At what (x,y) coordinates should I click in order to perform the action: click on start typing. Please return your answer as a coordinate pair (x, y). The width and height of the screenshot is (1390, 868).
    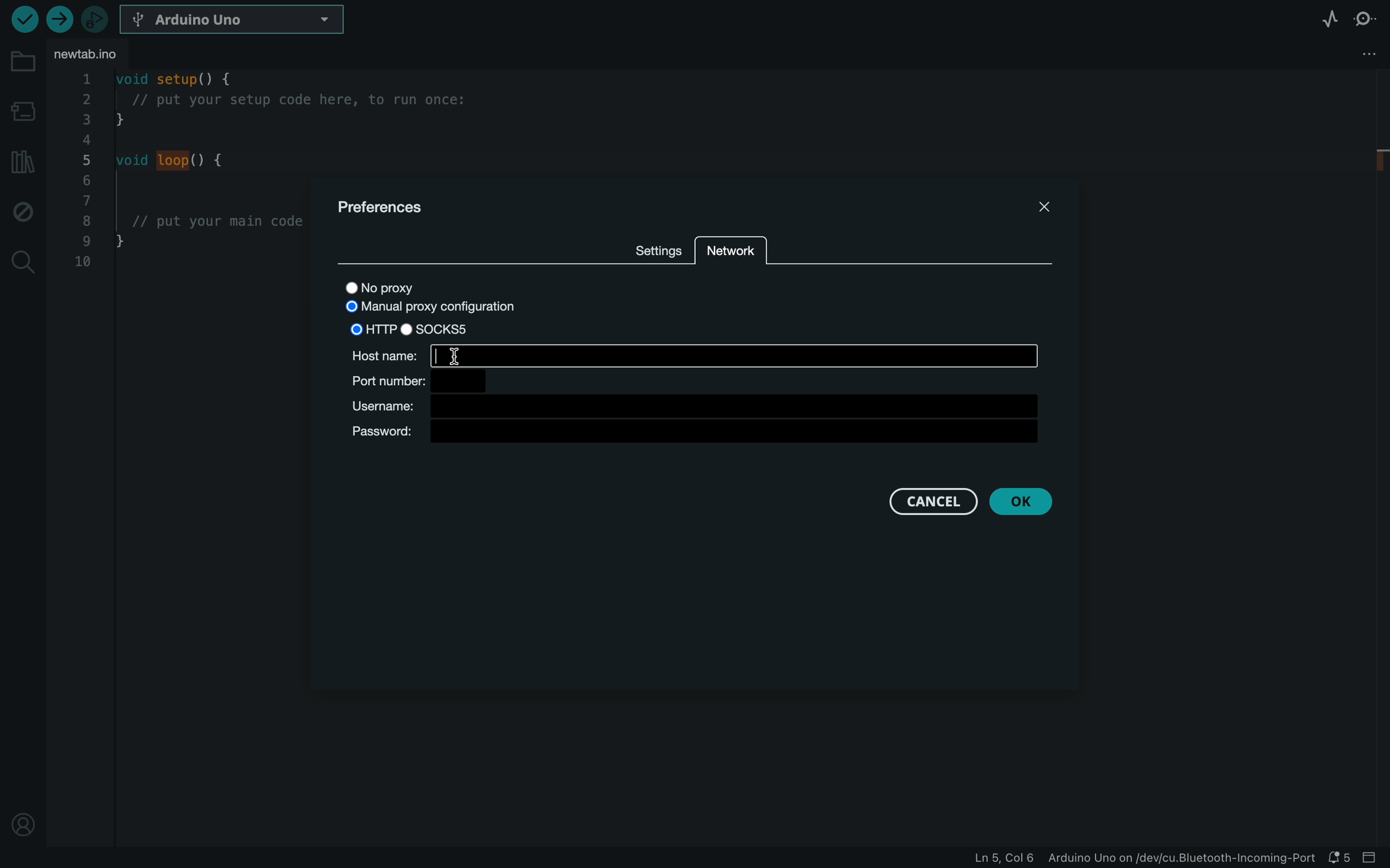
    Looking at the image, I should click on (735, 355).